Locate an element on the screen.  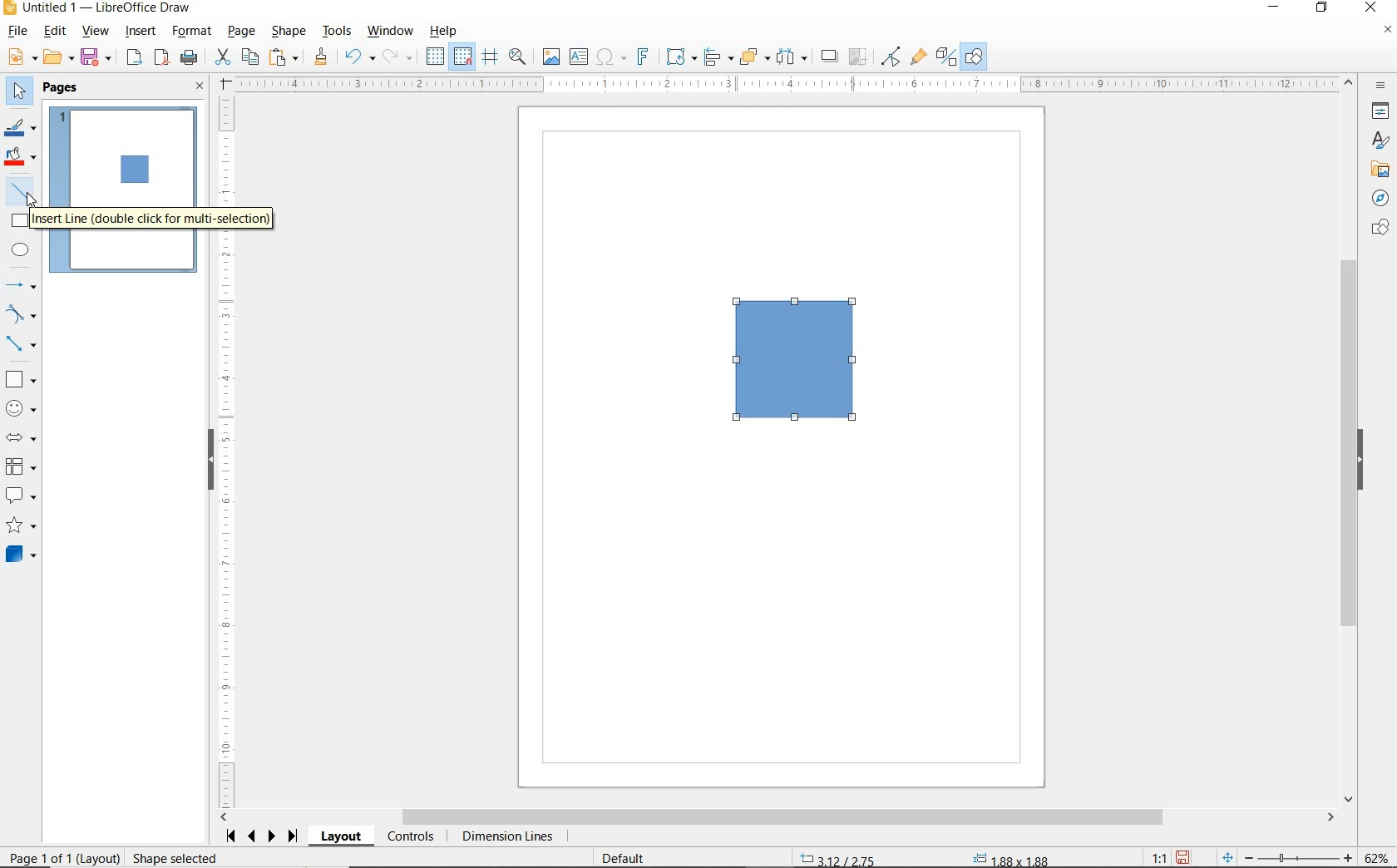
RULER is located at coordinates (787, 84).